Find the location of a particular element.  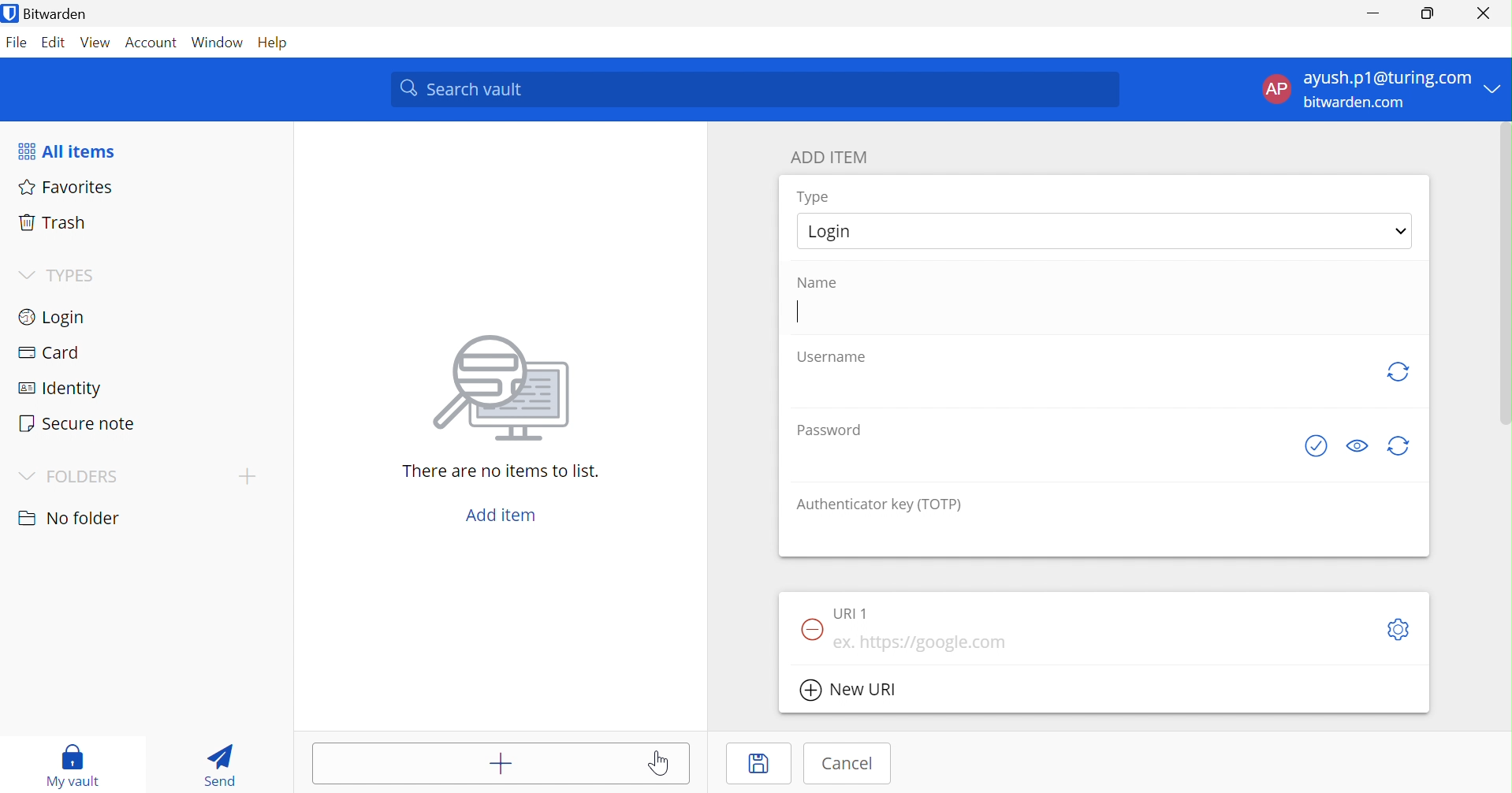

URI 1 is located at coordinates (855, 613).